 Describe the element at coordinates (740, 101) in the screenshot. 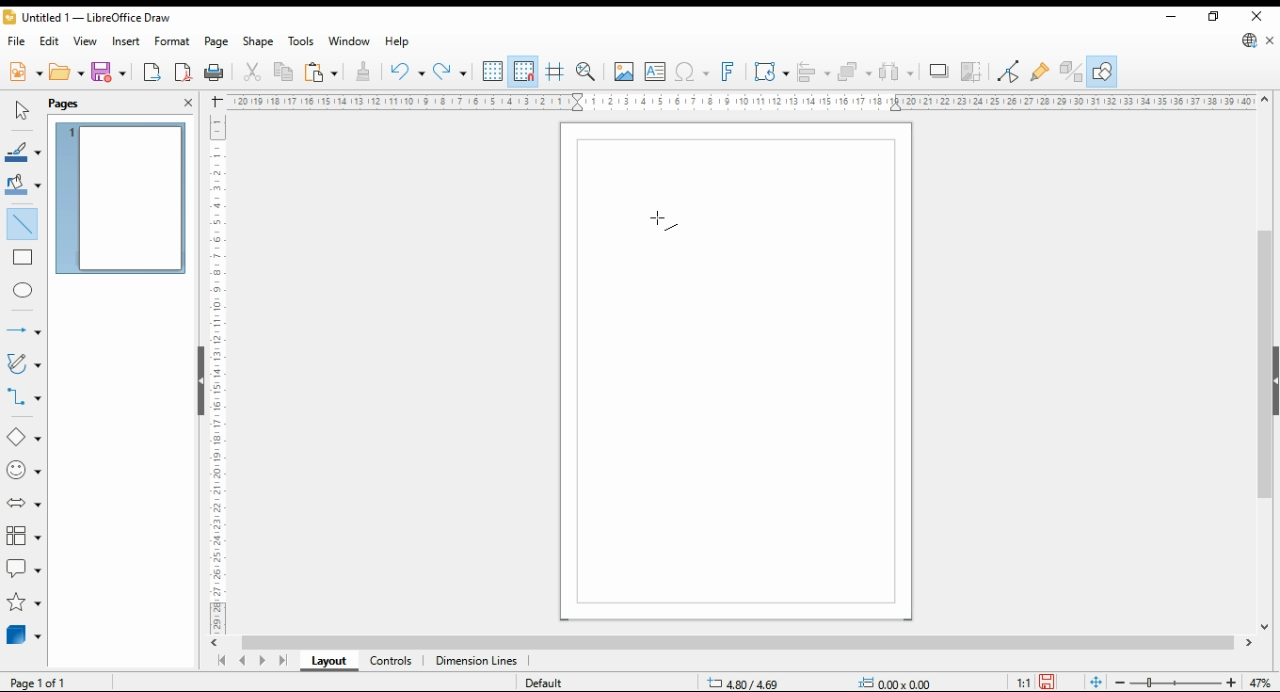

I see `horizontall scale` at that location.